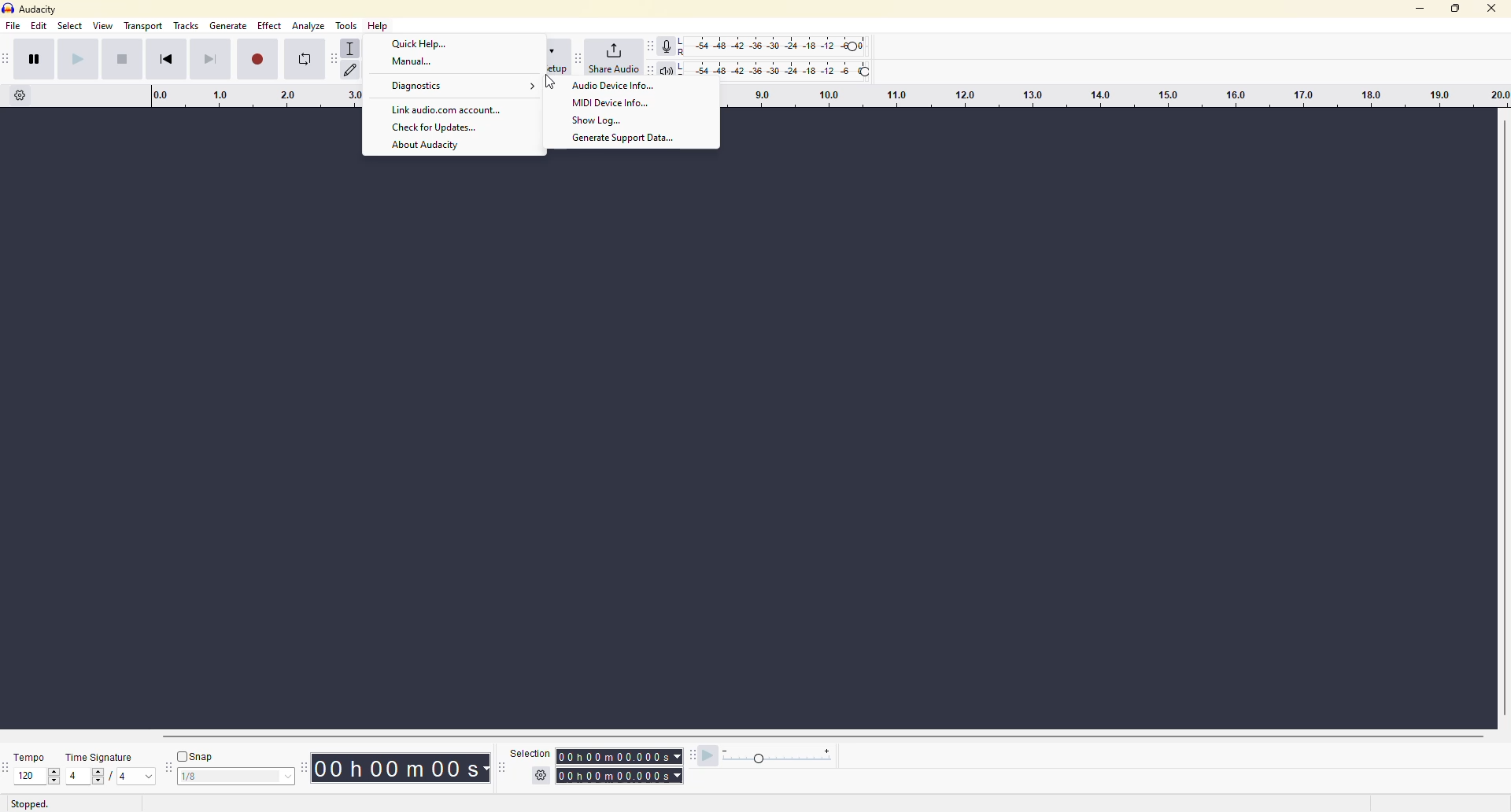  What do you see at coordinates (780, 758) in the screenshot?
I see `PLAYBACK SPEED` at bounding box center [780, 758].